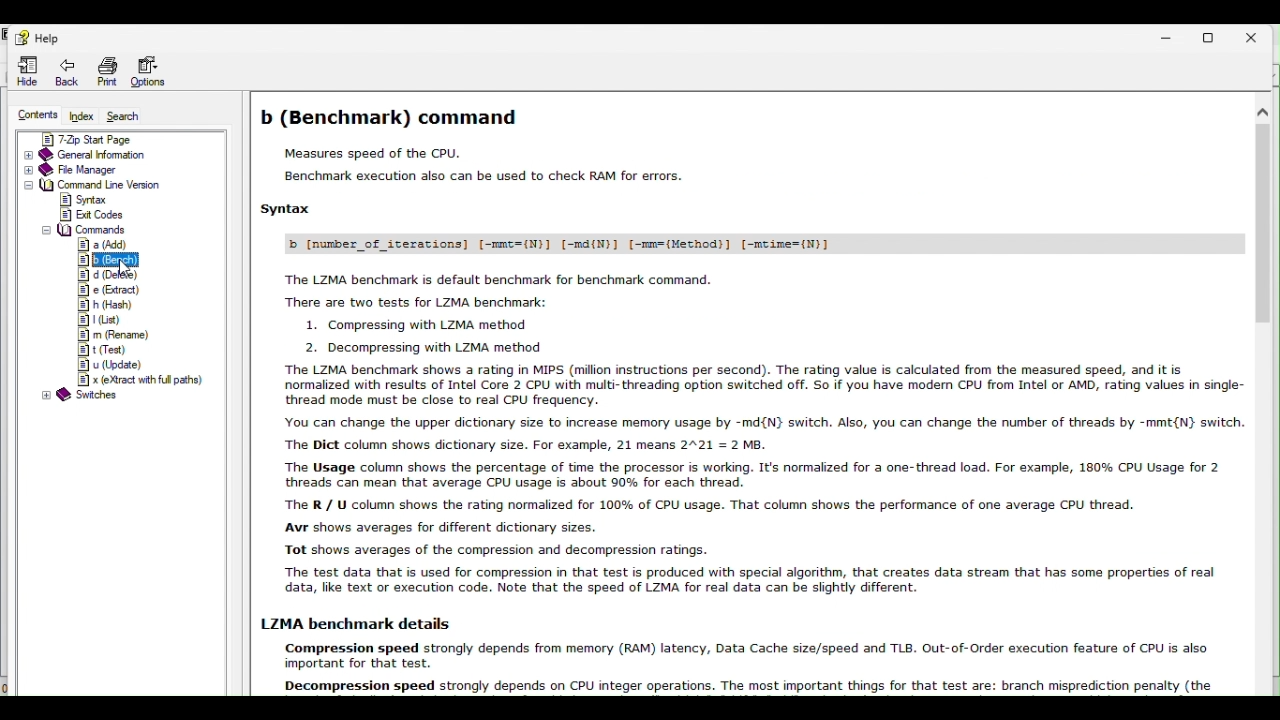 This screenshot has width=1280, height=720. What do you see at coordinates (763, 243) in the screenshot?
I see `b [number_of iterations] [-mmt=(N)] [-md(N)] [-mm=(Method)] [-mcime=(N)]` at bounding box center [763, 243].